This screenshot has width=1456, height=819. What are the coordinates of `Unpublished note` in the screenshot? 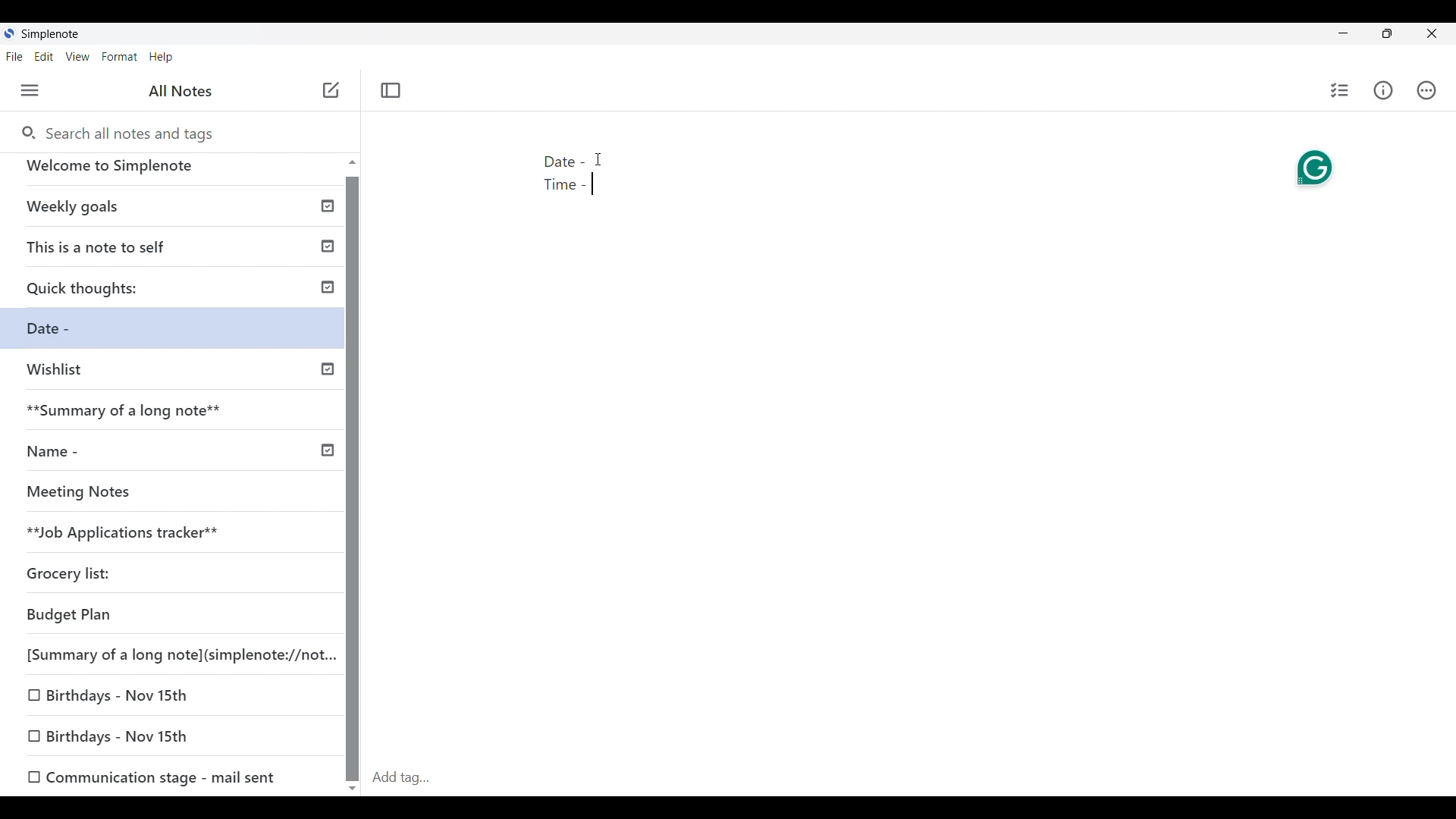 It's located at (124, 495).